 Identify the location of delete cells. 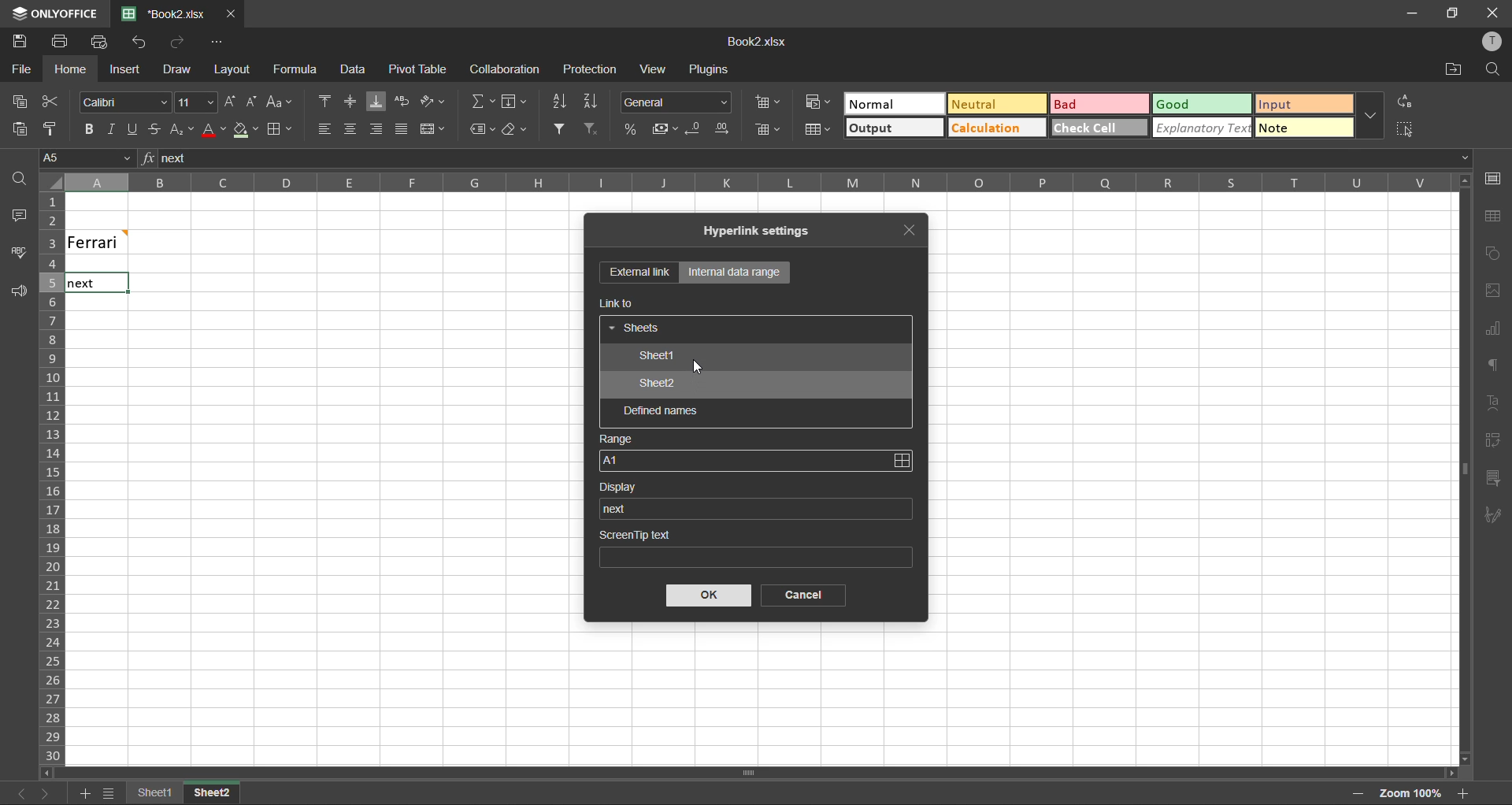
(770, 129).